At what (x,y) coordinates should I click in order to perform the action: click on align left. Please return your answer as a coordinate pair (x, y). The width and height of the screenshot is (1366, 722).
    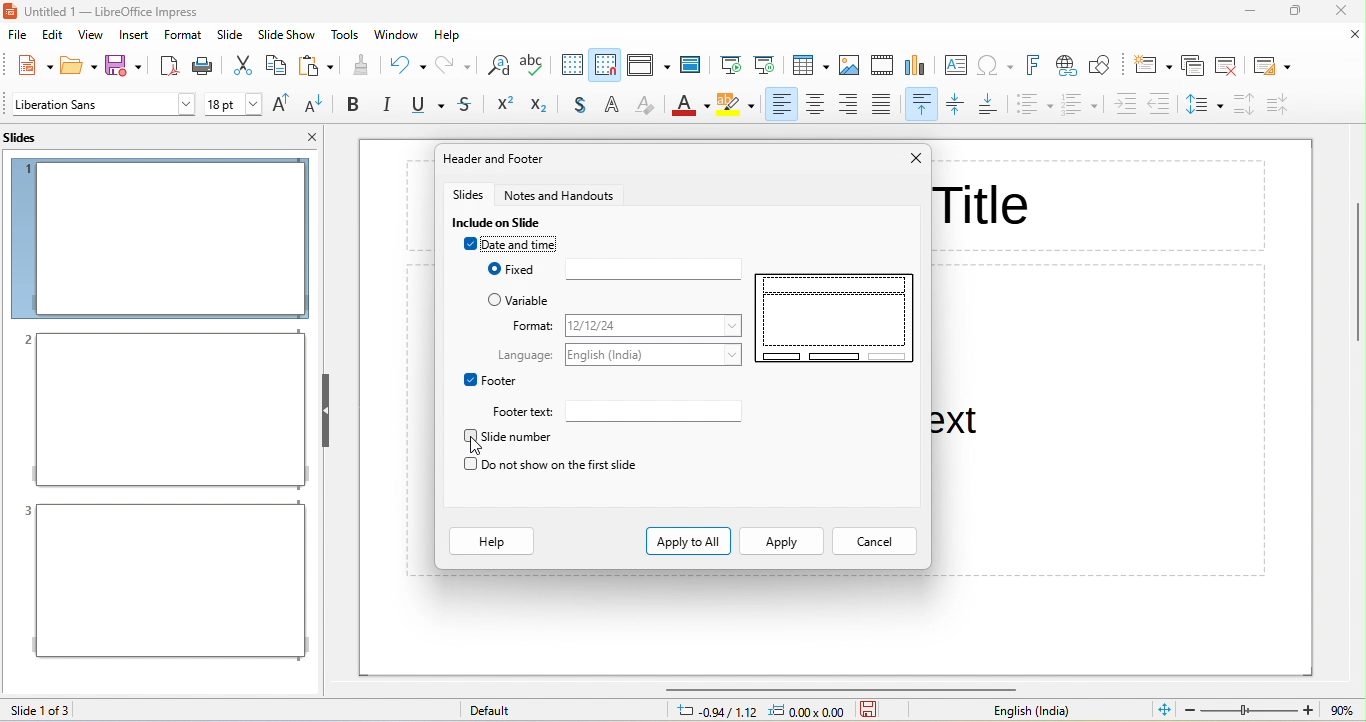
    Looking at the image, I should click on (779, 105).